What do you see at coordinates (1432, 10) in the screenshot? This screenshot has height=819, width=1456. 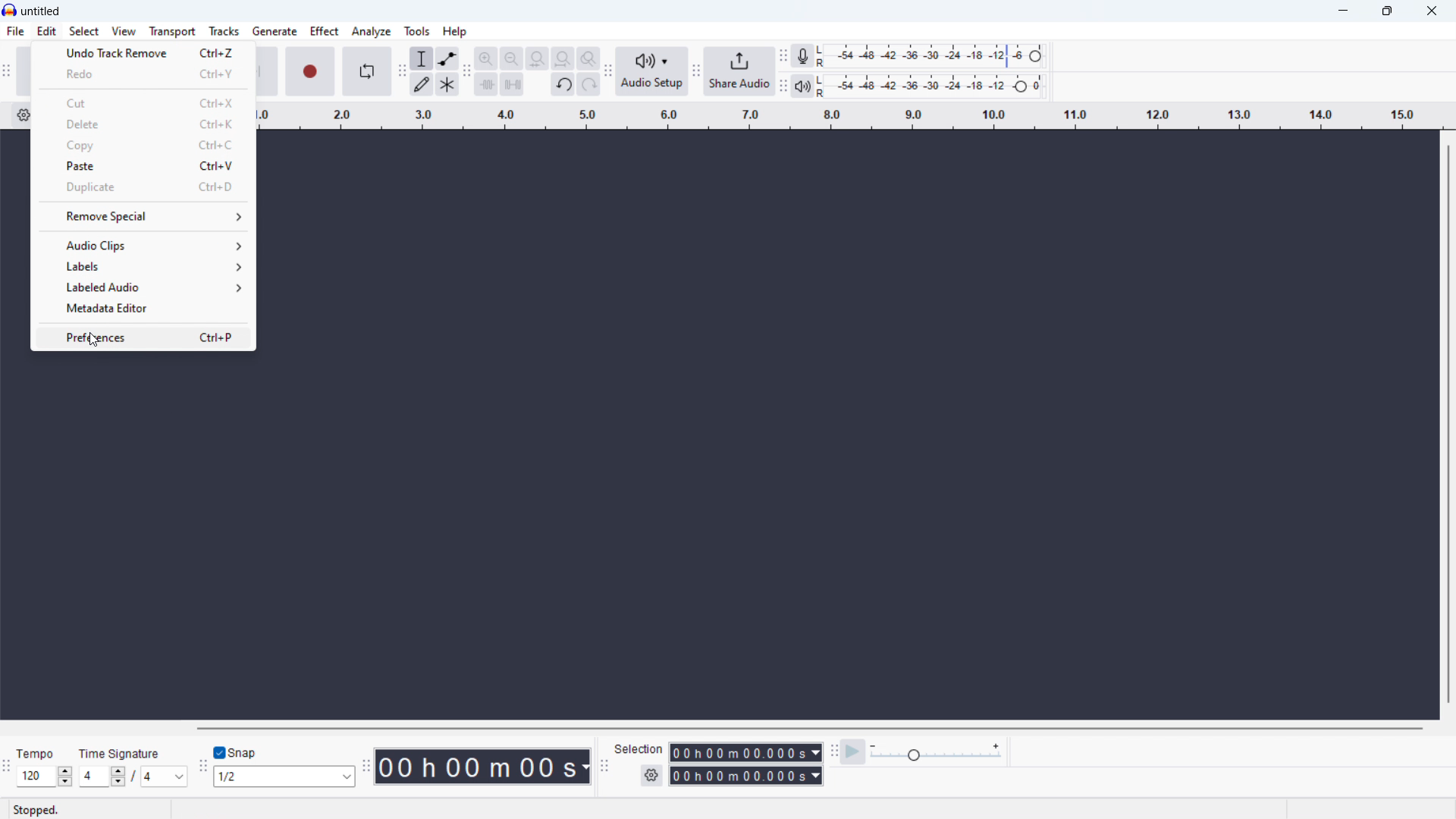 I see `close` at bounding box center [1432, 10].